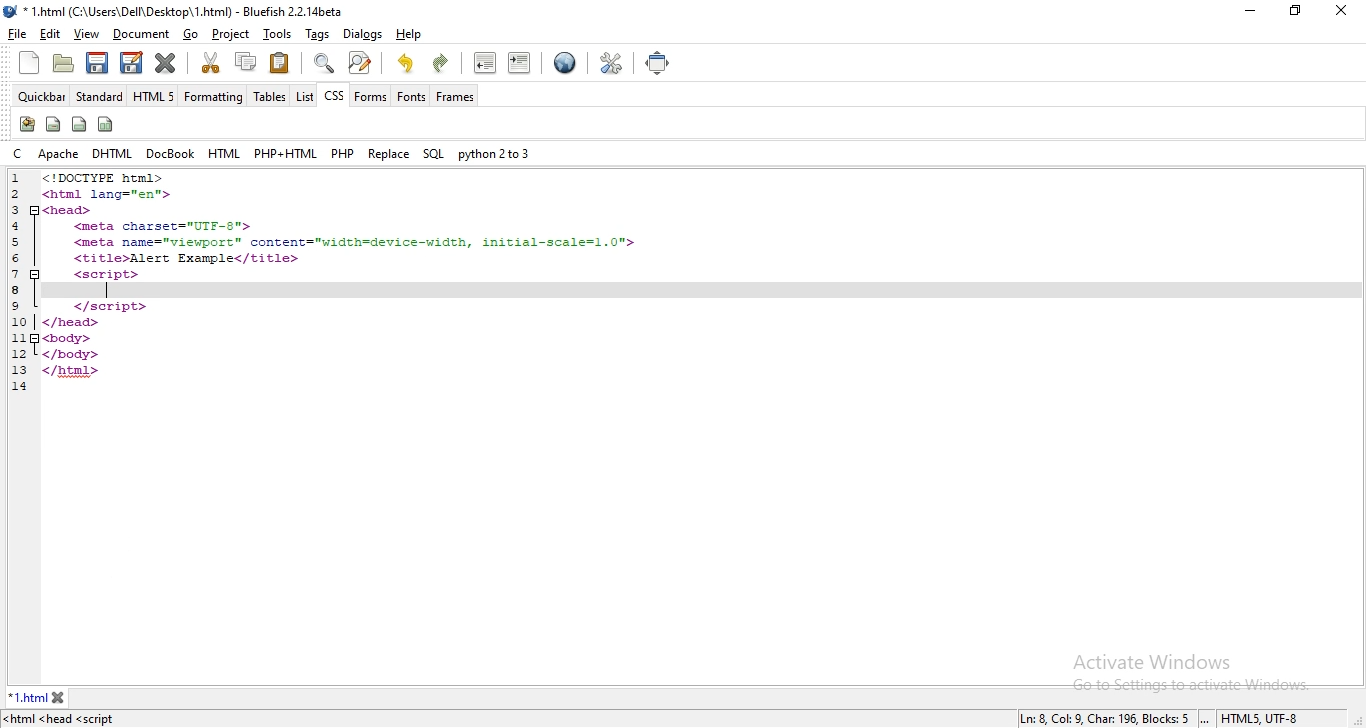 The image size is (1366, 728). I want to click on tables, so click(266, 97).